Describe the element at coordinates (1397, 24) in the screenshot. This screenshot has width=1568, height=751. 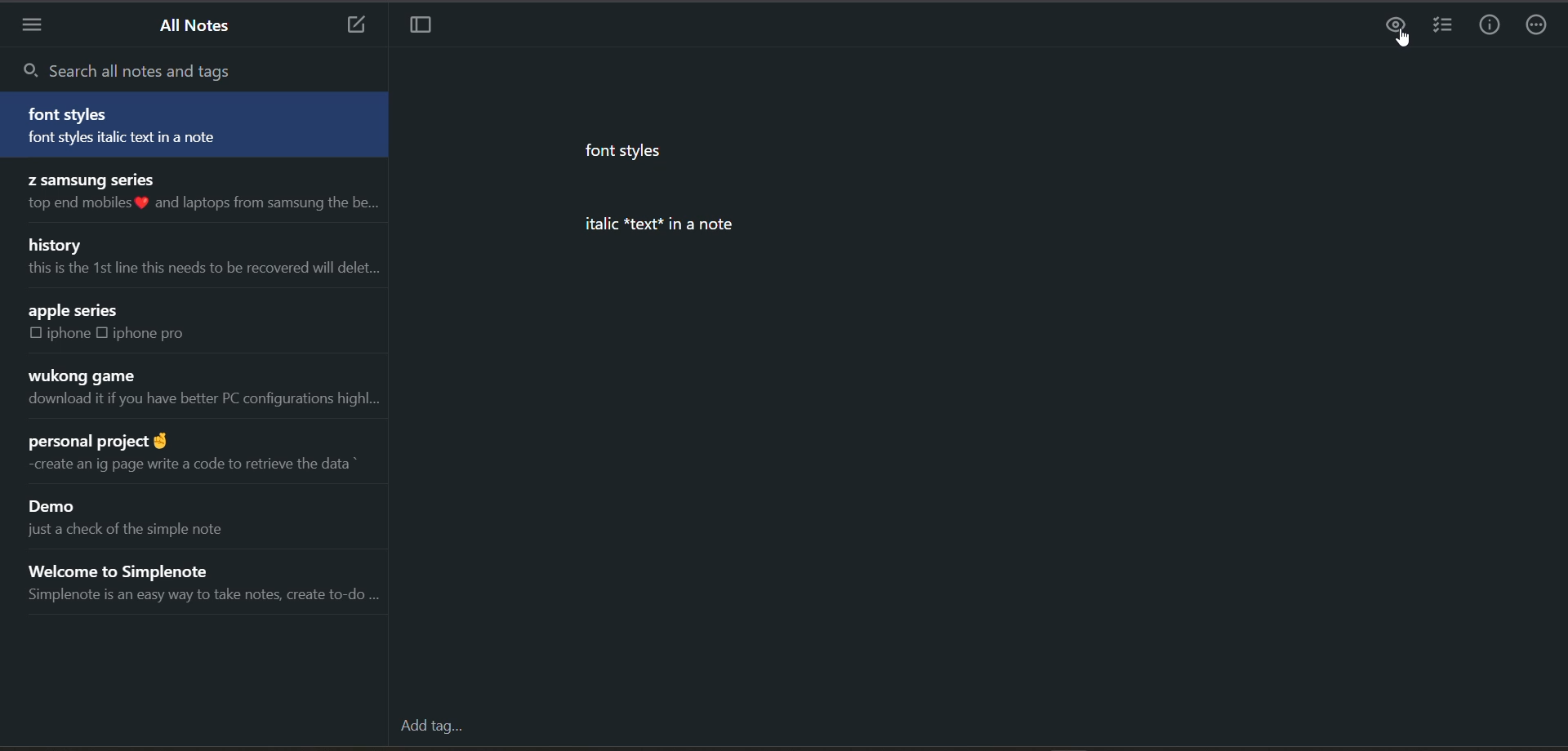
I see `preview` at that location.